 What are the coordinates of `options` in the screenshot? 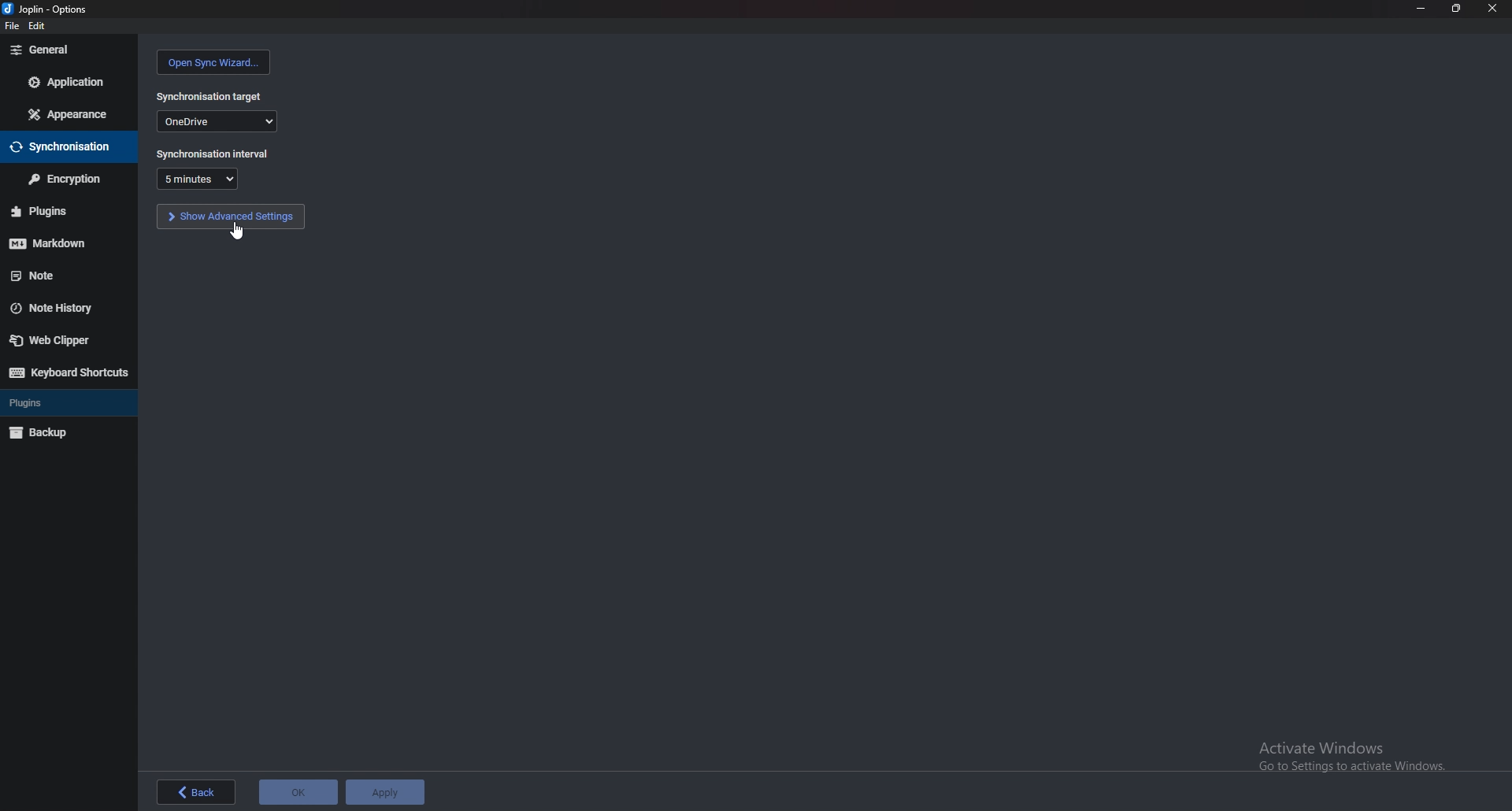 It's located at (47, 9).